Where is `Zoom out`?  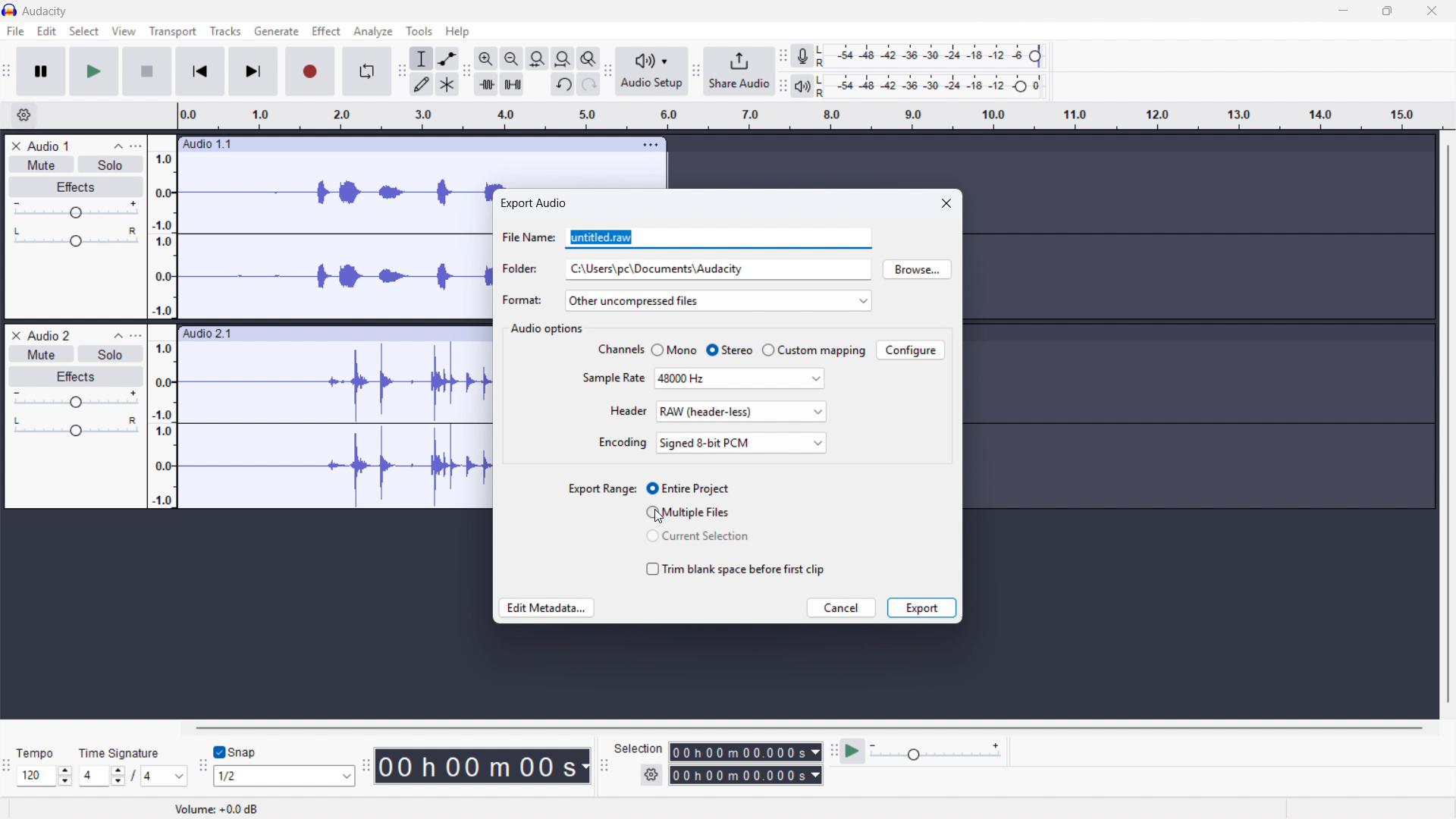 Zoom out is located at coordinates (512, 58).